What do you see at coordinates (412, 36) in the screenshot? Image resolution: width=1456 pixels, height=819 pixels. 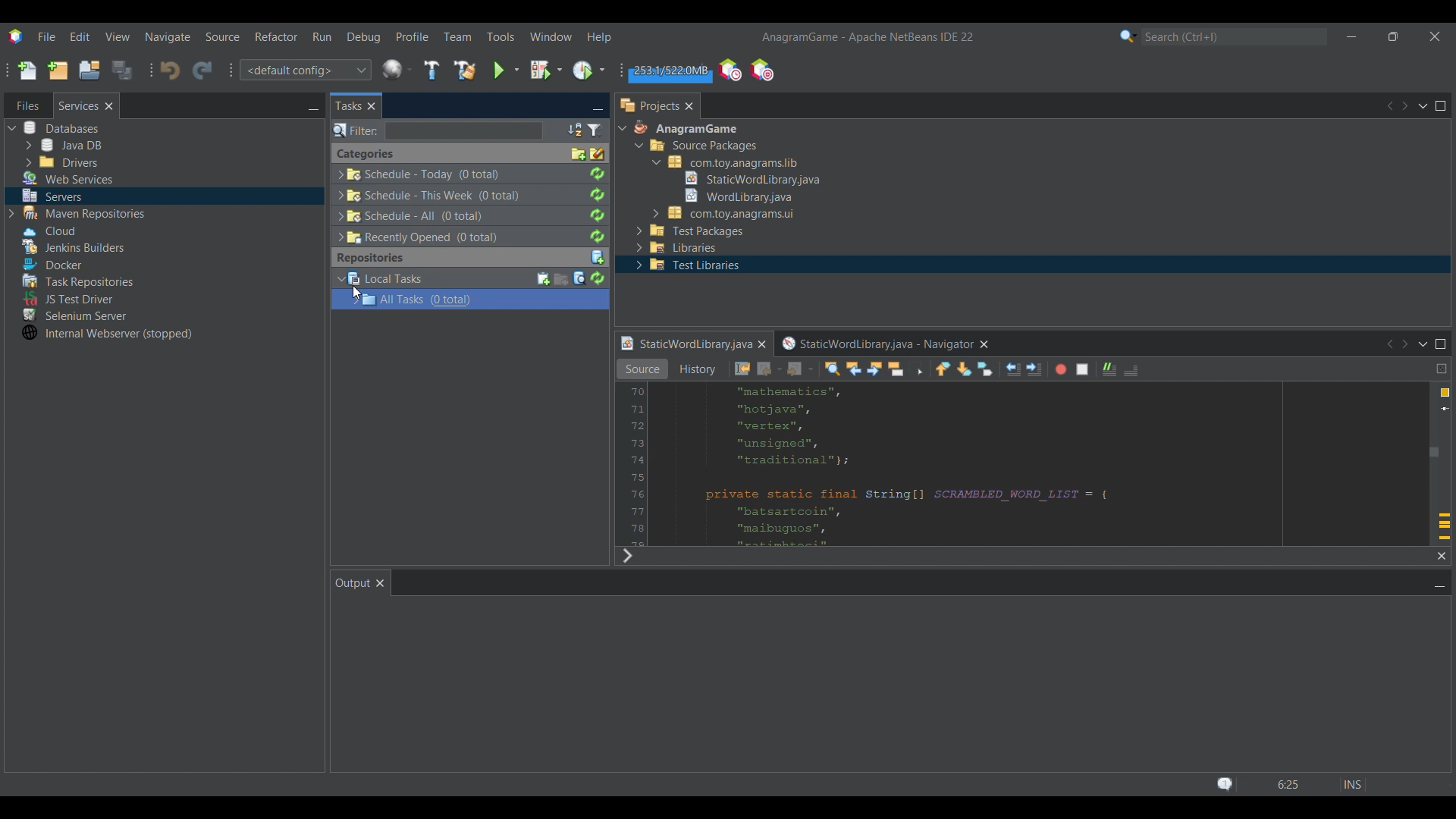 I see `Profile menu` at bounding box center [412, 36].